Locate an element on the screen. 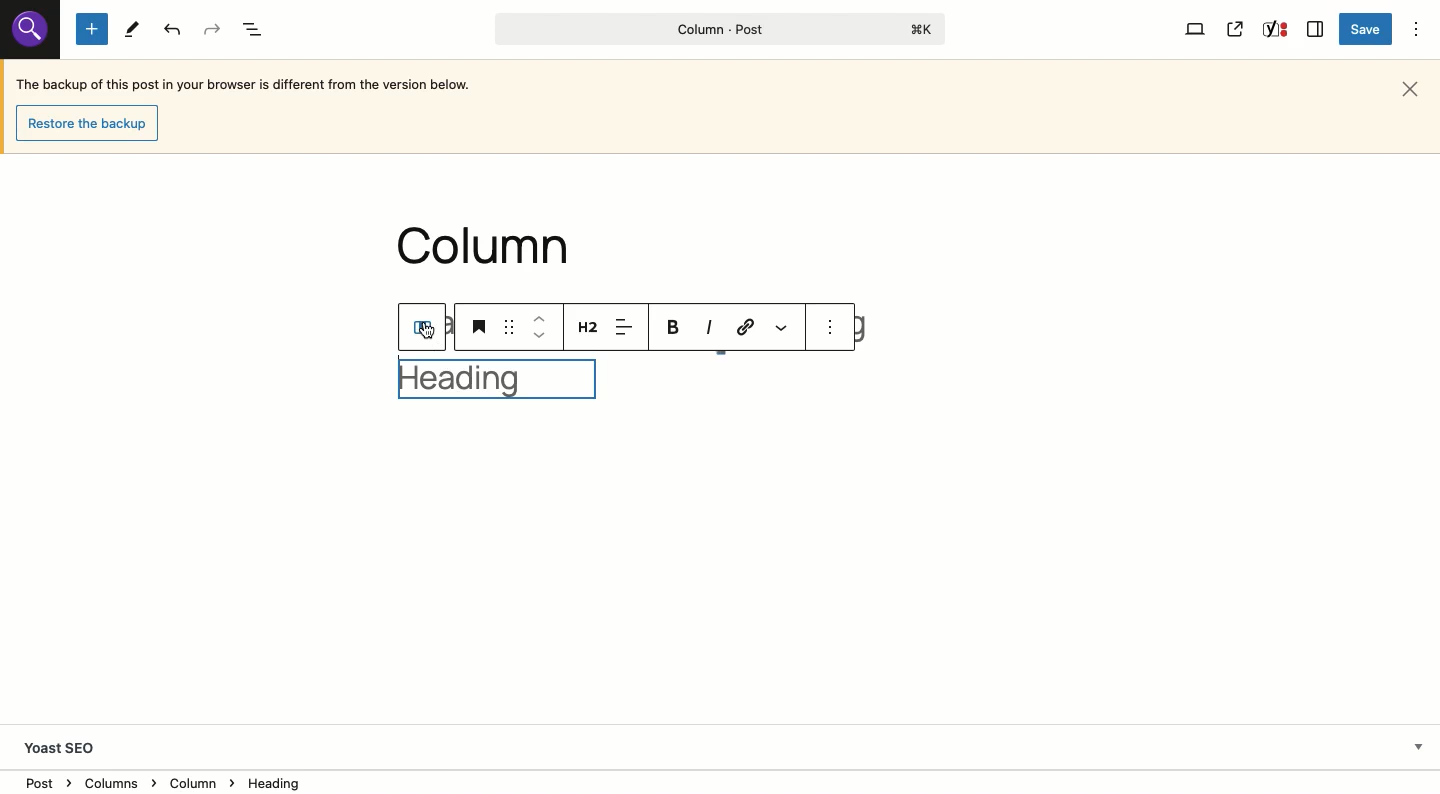 The image size is (1440, 794). Document overview is located at coordinates (256, 31).